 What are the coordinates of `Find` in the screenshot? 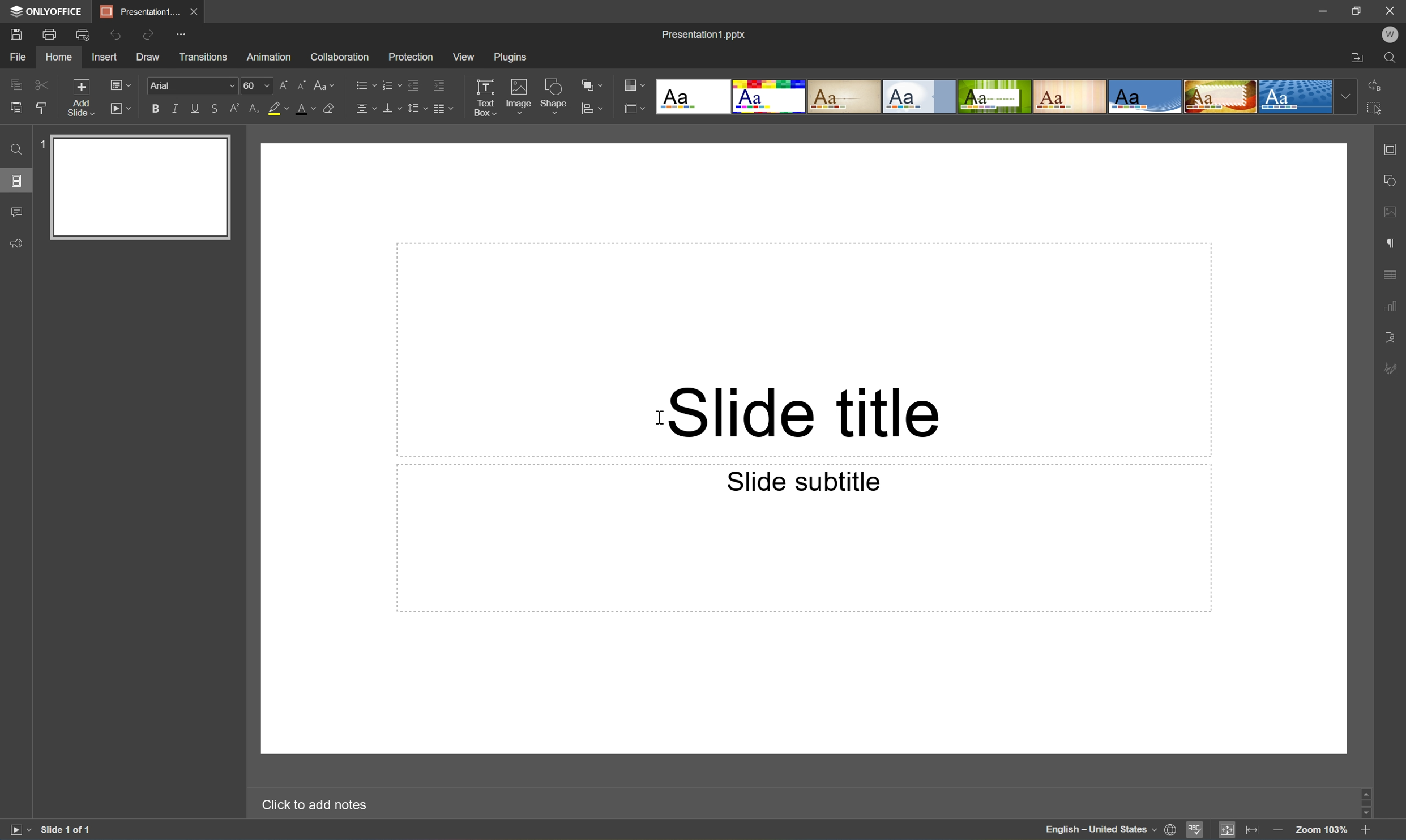 It's located at (14, 148).